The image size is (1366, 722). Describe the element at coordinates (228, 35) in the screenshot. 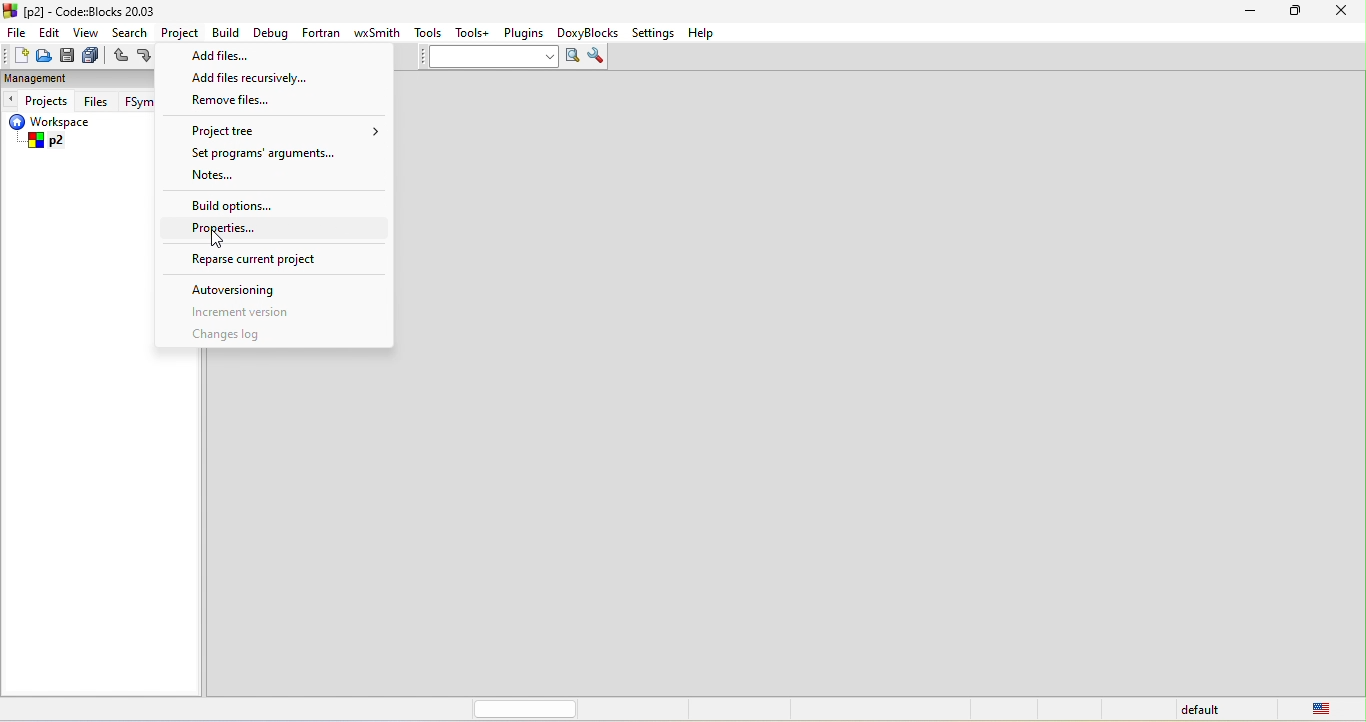

I see `build` at that location.